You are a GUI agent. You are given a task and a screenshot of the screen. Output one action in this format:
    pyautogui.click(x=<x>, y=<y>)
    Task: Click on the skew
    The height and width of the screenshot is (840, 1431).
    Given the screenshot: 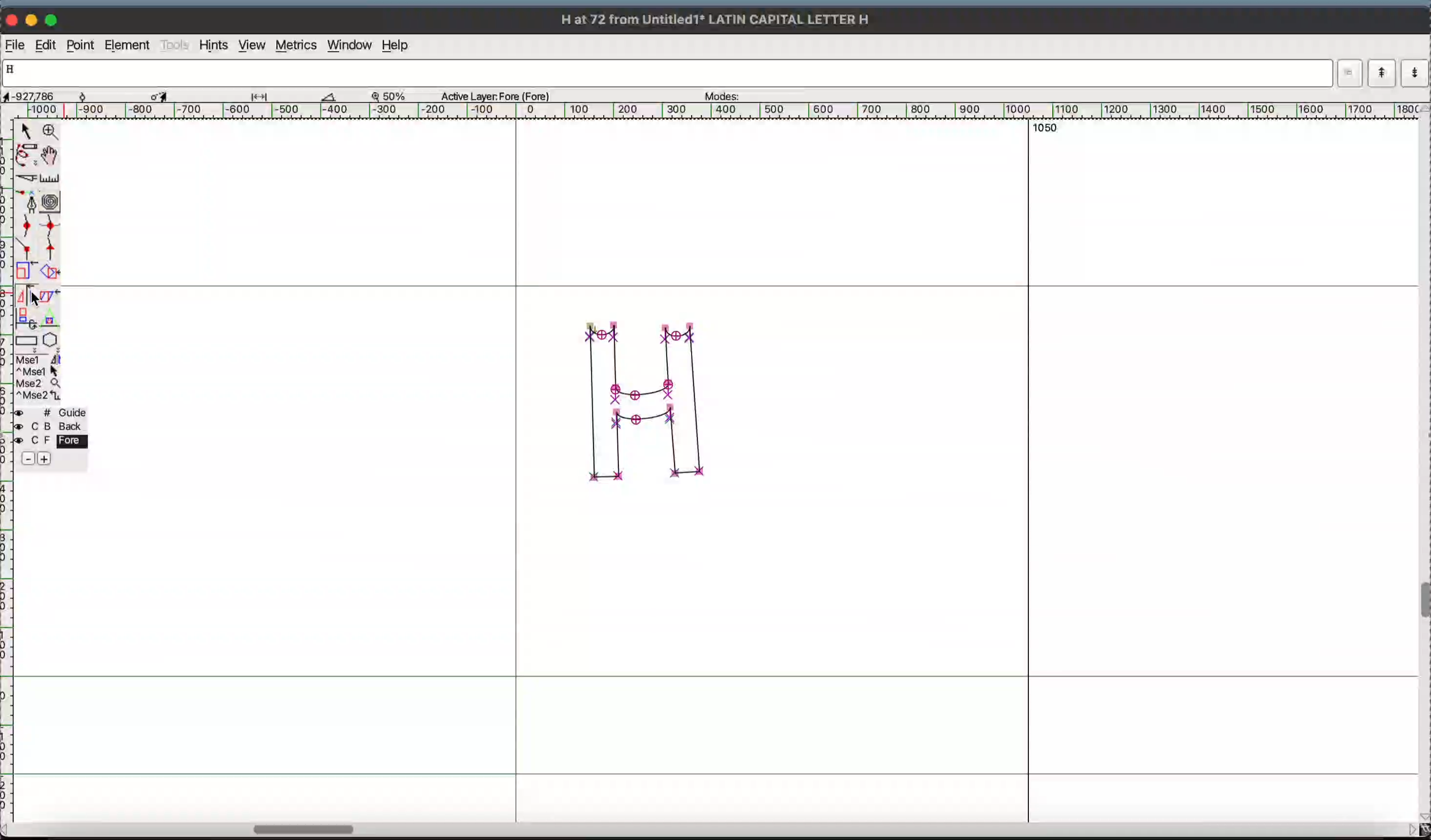 What is the action you would take?
    pyautogui.click(x=51, y=294)
    